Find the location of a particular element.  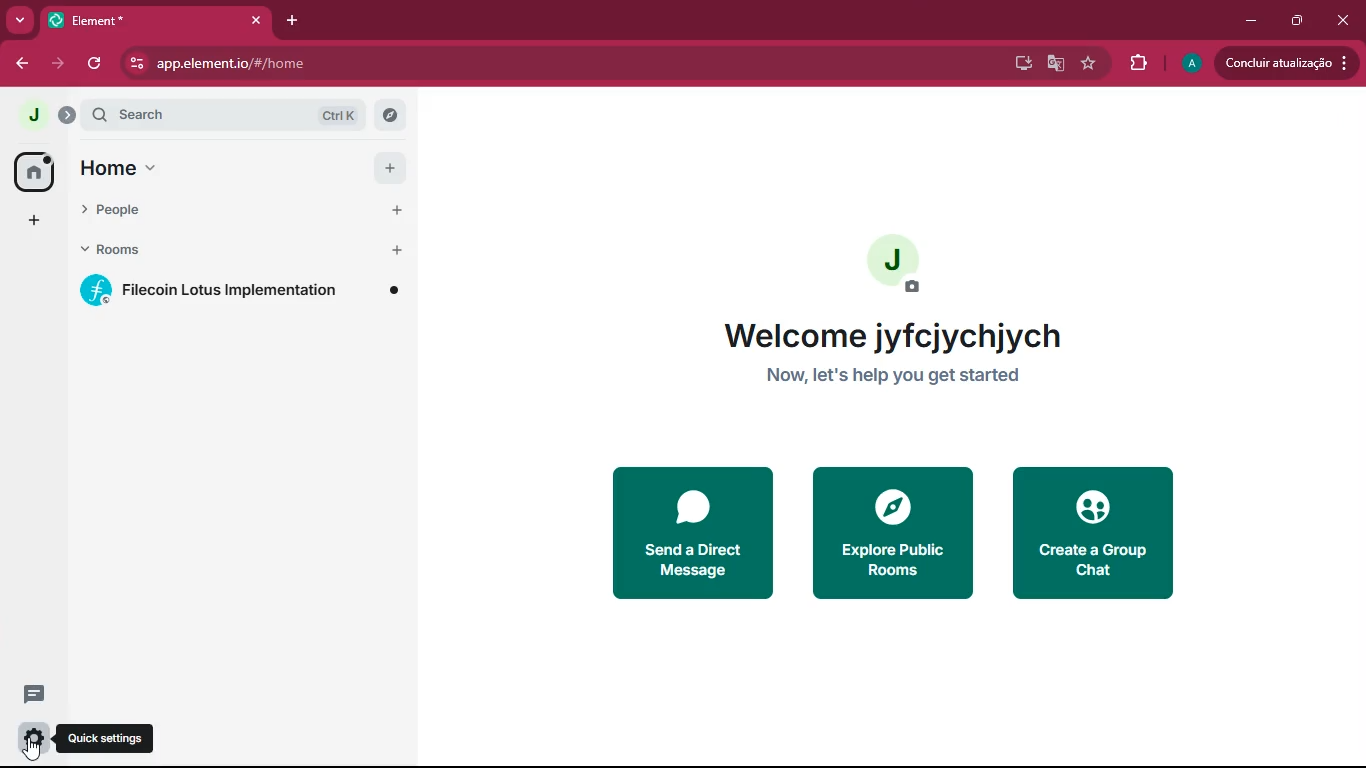

search is located at coordinates (181, 115).